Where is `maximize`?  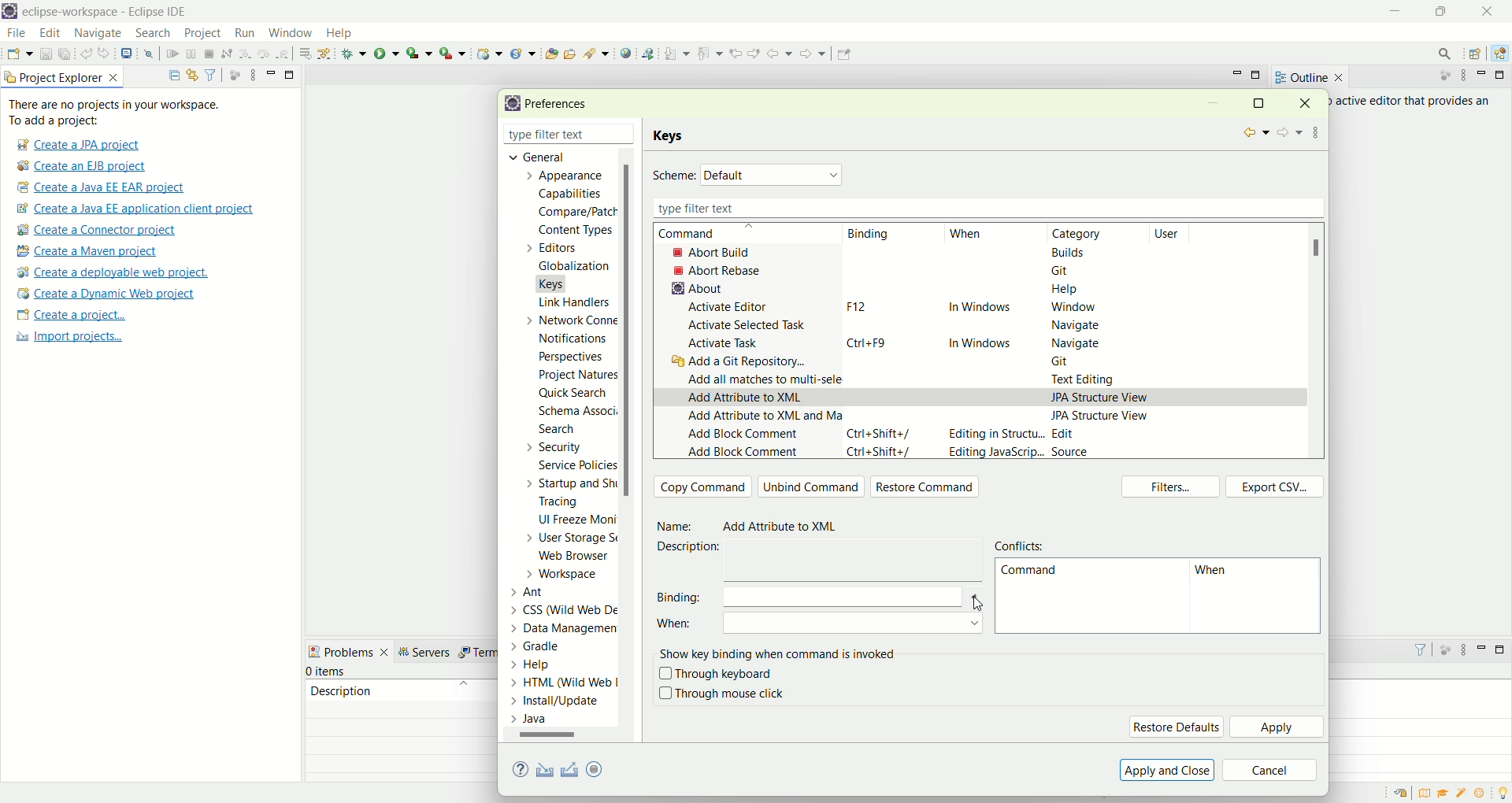
maximize is located at coordinates (291, 73).